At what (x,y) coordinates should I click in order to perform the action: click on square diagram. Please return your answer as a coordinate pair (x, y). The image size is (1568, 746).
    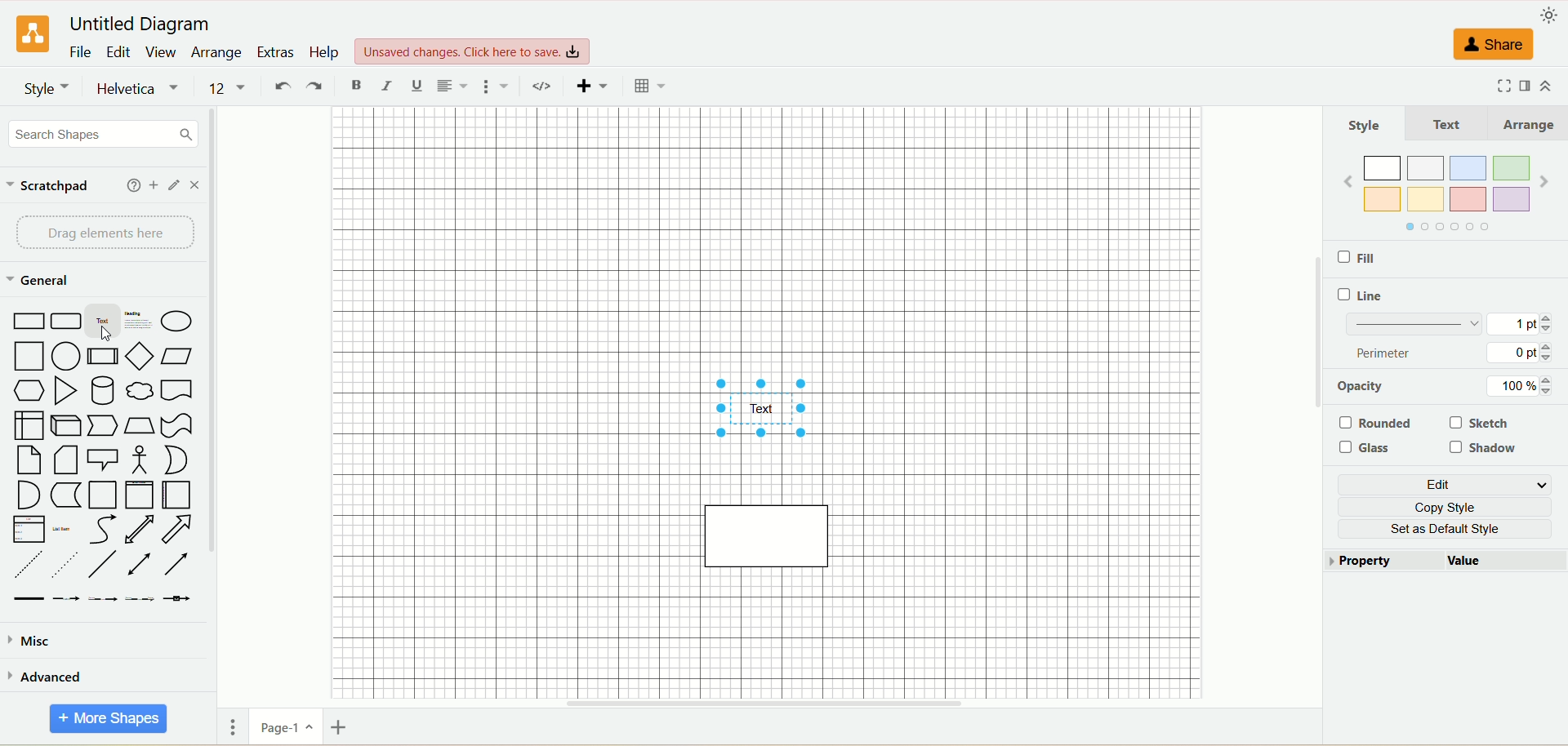
    Looking at the image, I should click on (768, 534).